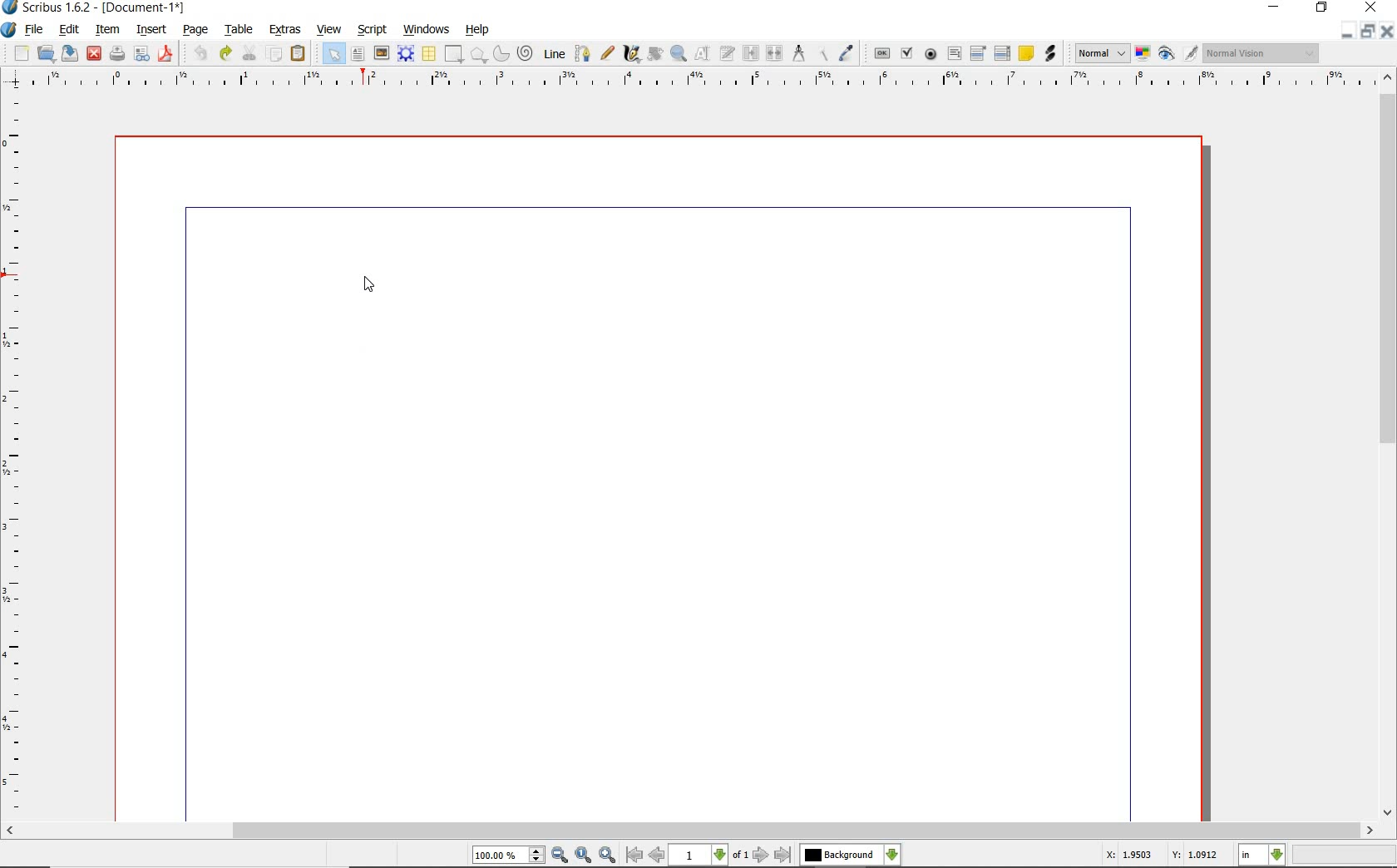 The image size is (1397, 868). I want to click on ruler, so click(708, 80).